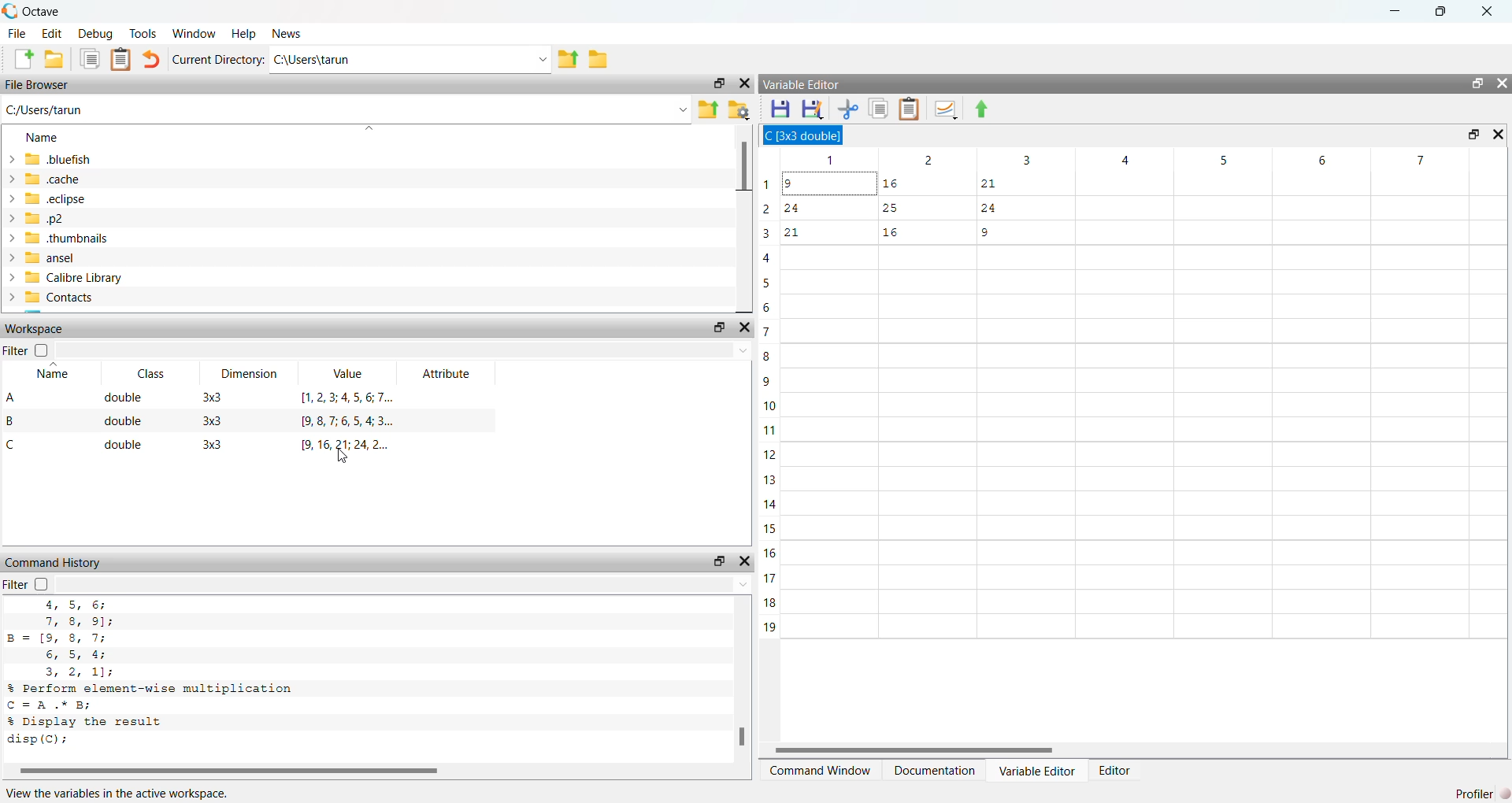 The width and height of the screenshot is (1512, 803). Describe the element at coordinates (207, 422) in the screenshot. I see `B double 3x3 9.8,7,6,5,4;3..` at that location.